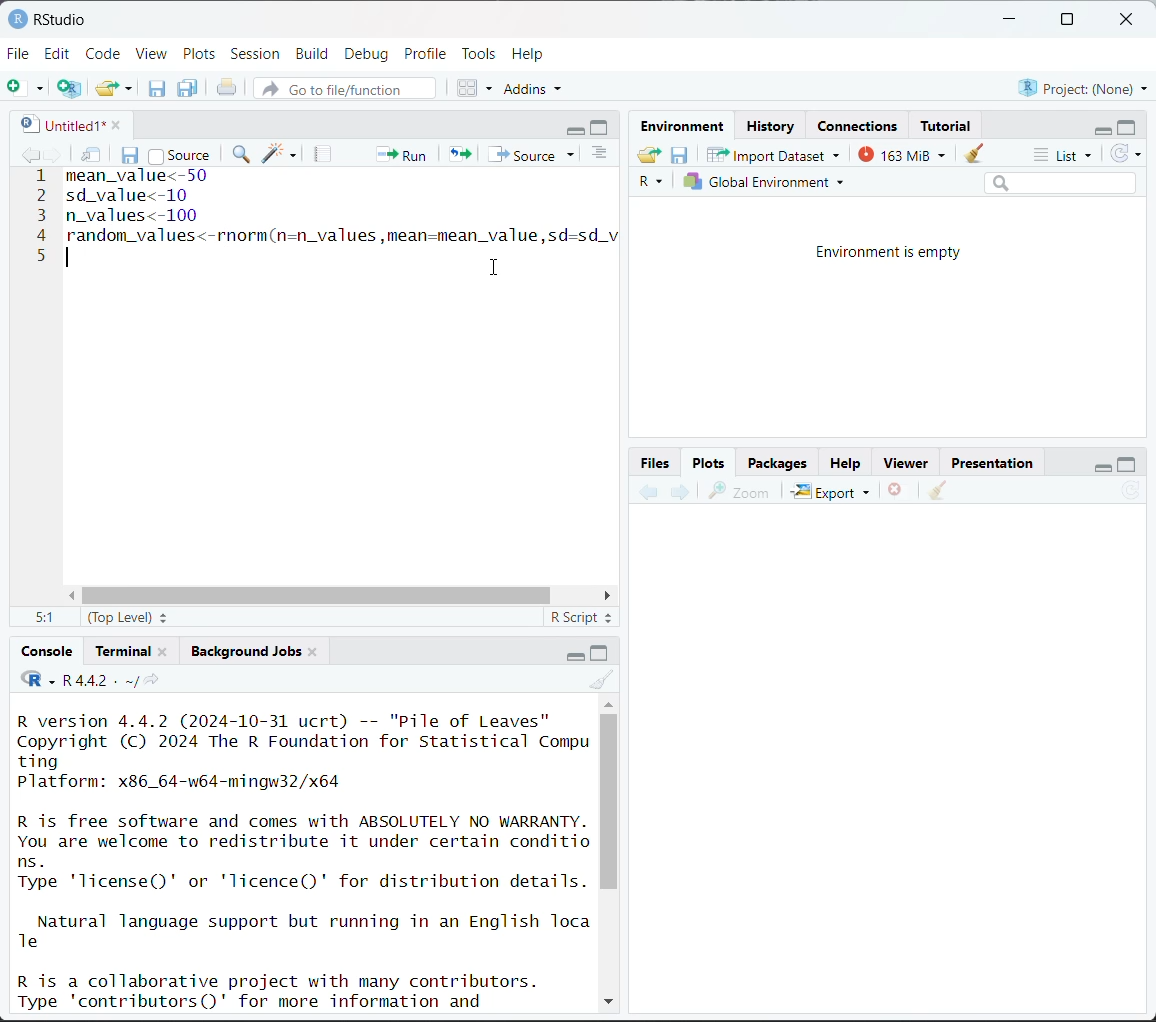  I want to click on refresh current plot, so click(1131, 493).